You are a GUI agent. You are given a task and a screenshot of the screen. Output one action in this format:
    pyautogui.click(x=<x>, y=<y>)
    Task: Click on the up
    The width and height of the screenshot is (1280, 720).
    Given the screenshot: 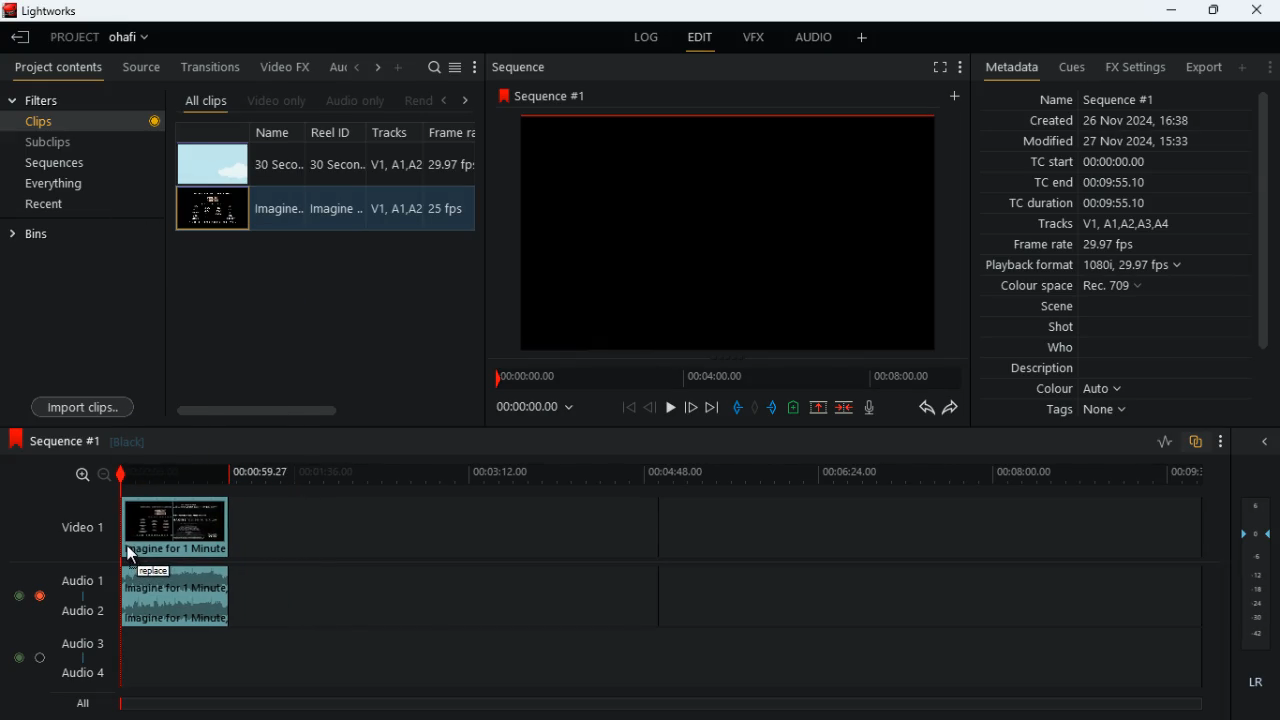 What is the action you would take?
    pyautogui.click(x=793, y=409)
    